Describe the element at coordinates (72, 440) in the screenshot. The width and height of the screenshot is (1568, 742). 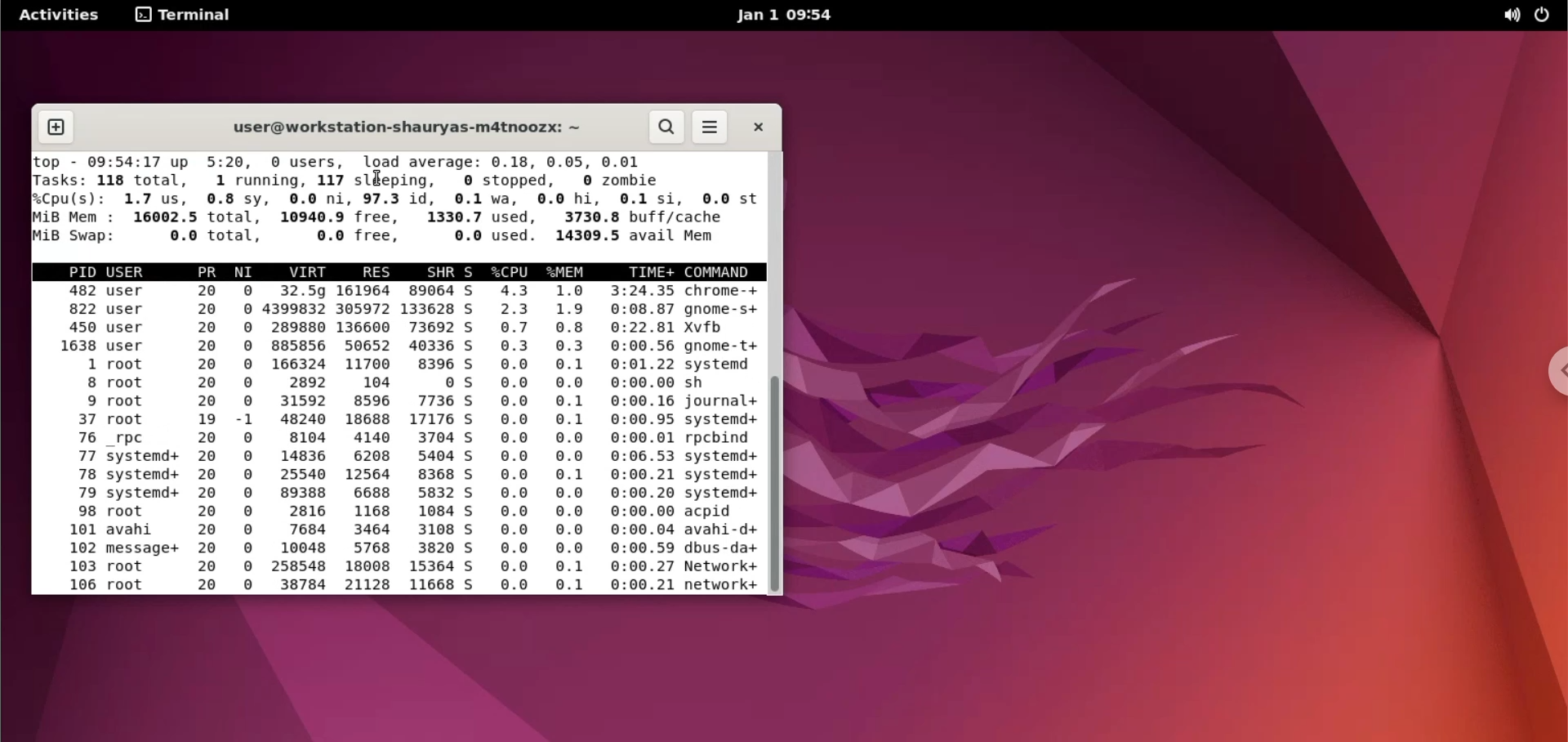
I see `PID` at that location.